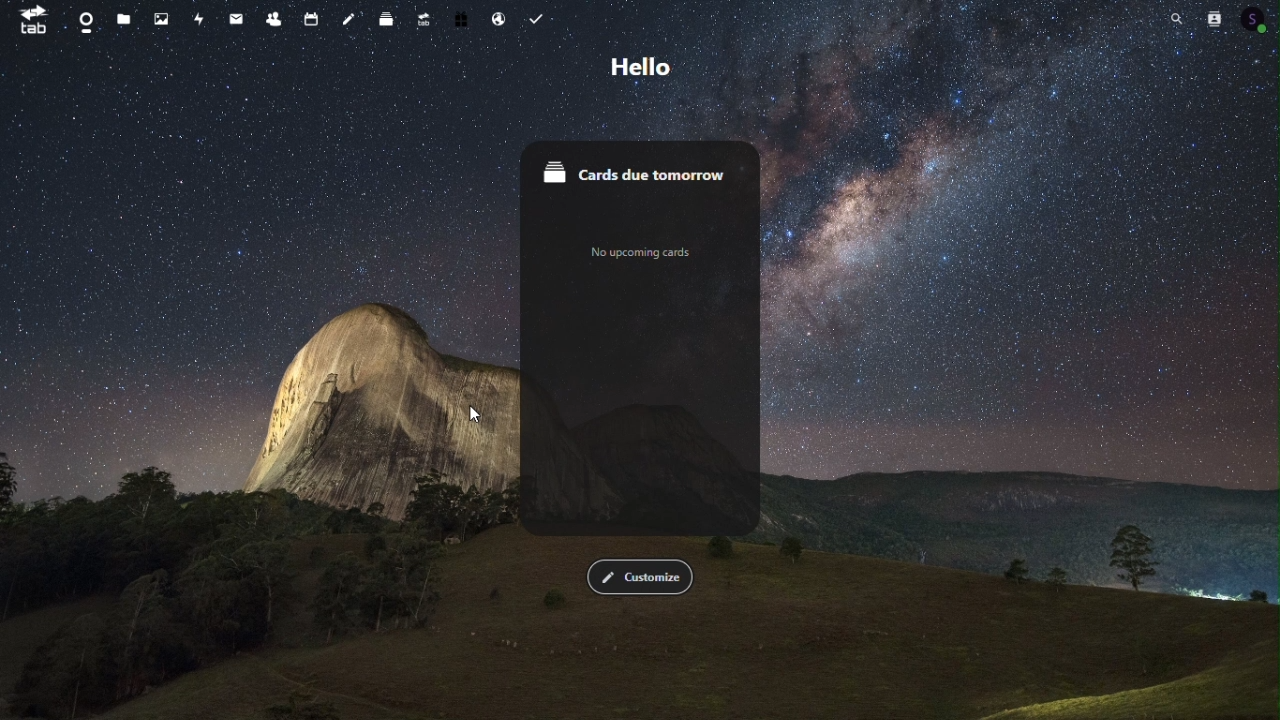 This screenshot has width=1280, height=720. What do you see at coordinates (383, 17) in the screenshot?
I see `deck` at bounding box center [383, 17].